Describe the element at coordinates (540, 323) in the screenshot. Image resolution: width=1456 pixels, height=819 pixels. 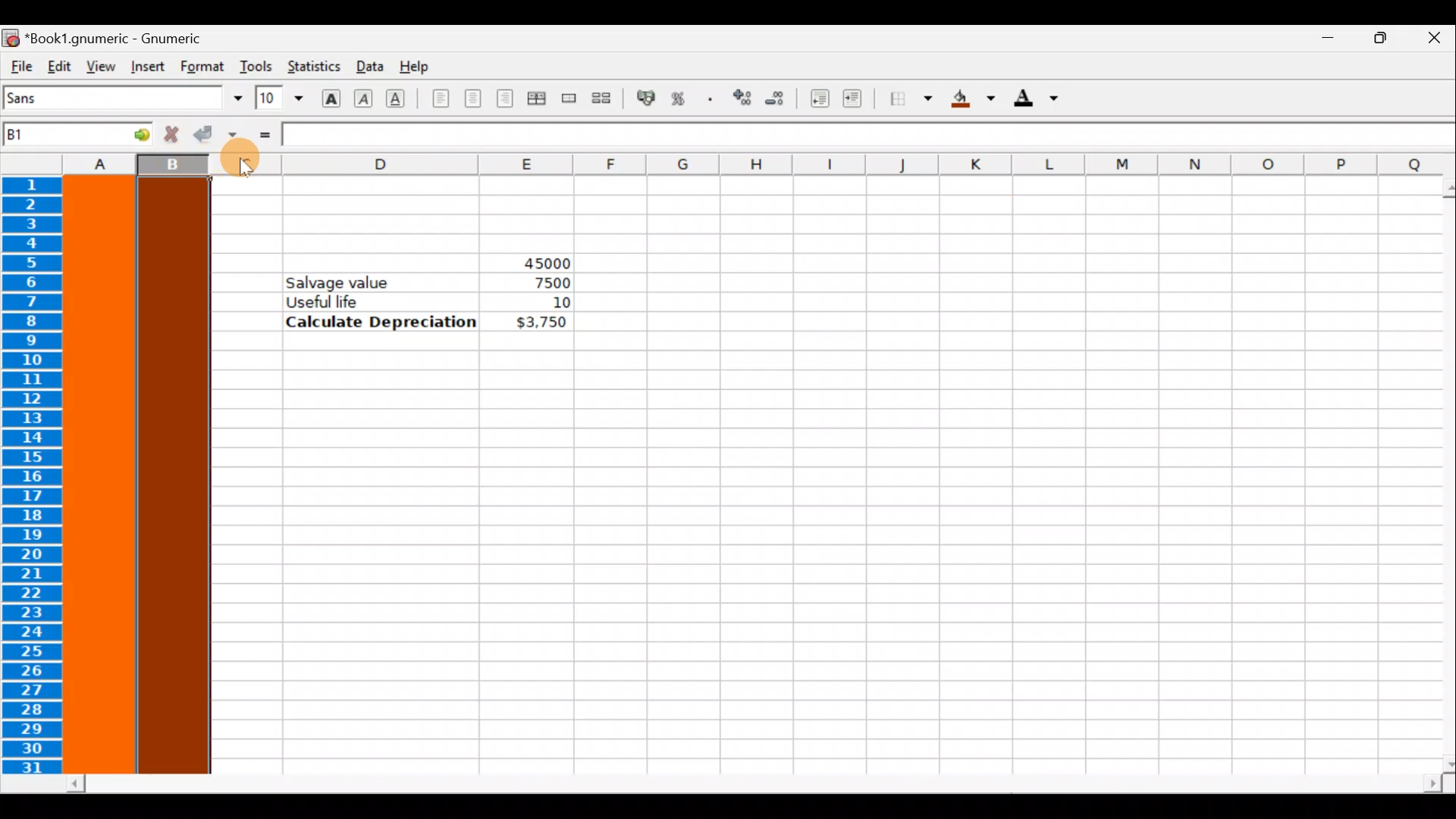
I see `$3,750` at that location.